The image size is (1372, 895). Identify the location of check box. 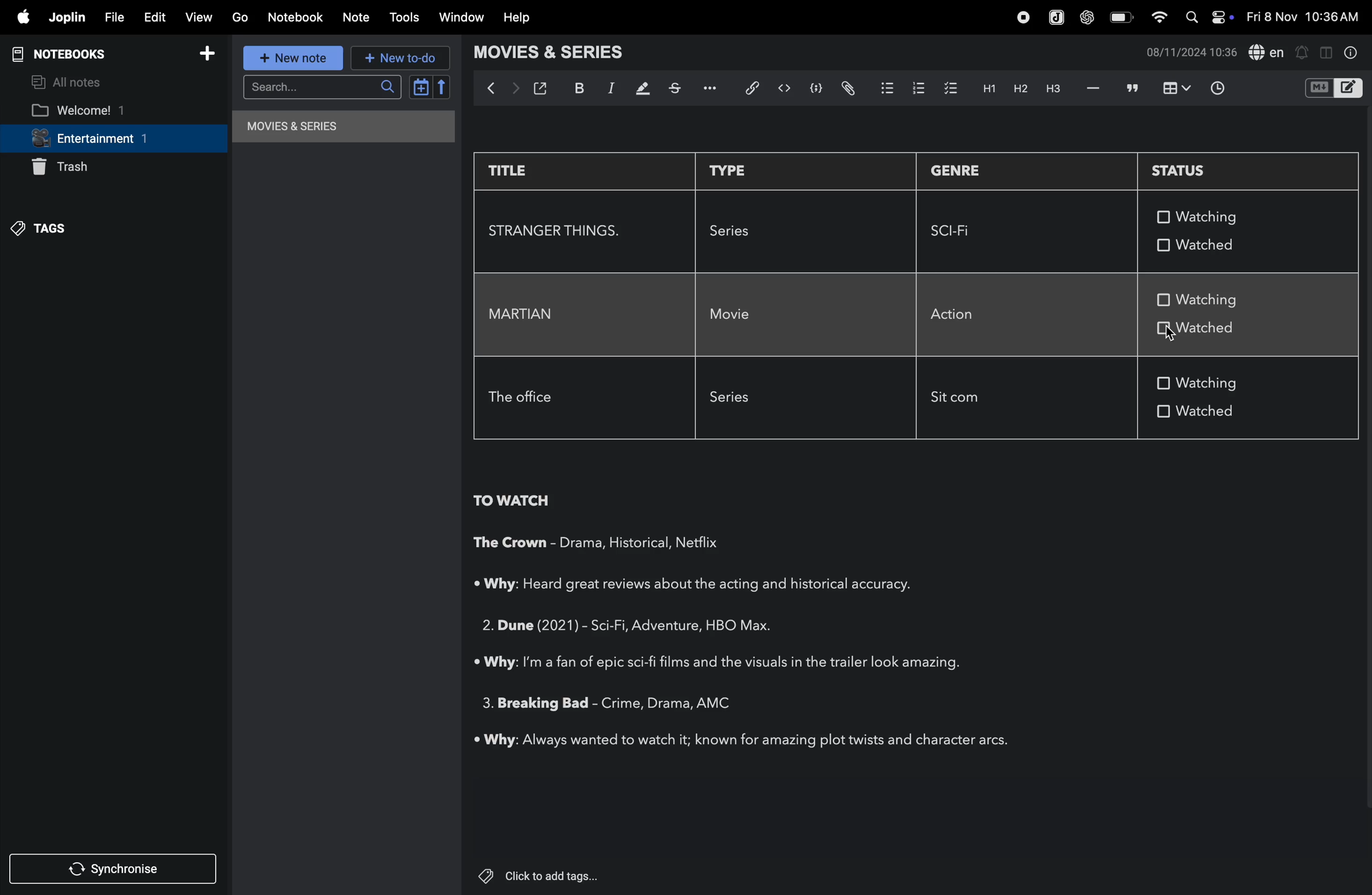
(949, 87).